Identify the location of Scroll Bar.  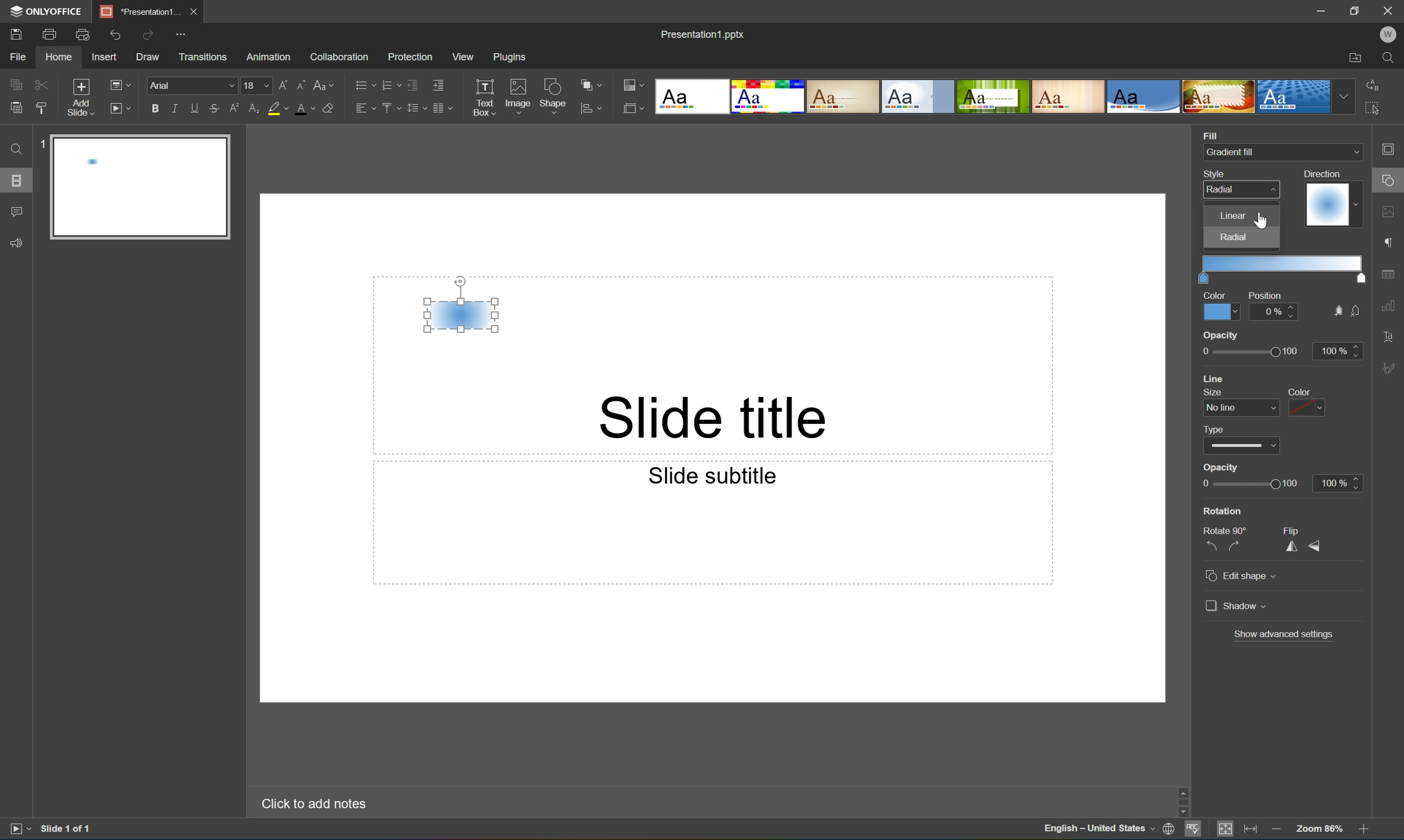
(1361, 799).